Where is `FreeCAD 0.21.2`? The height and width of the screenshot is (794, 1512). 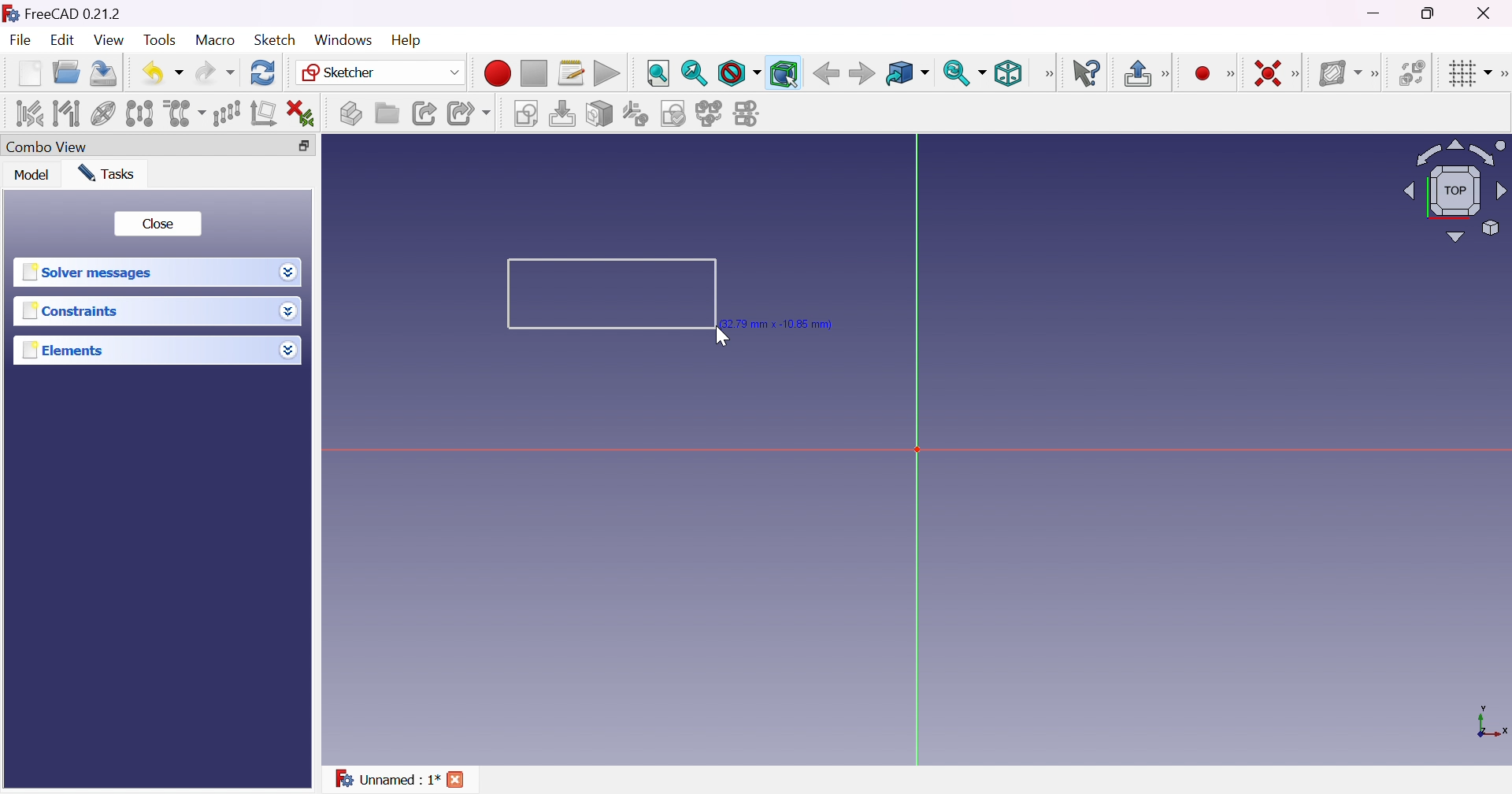
FreeCAD 0.21.2 is located at coordinates (72, 13).